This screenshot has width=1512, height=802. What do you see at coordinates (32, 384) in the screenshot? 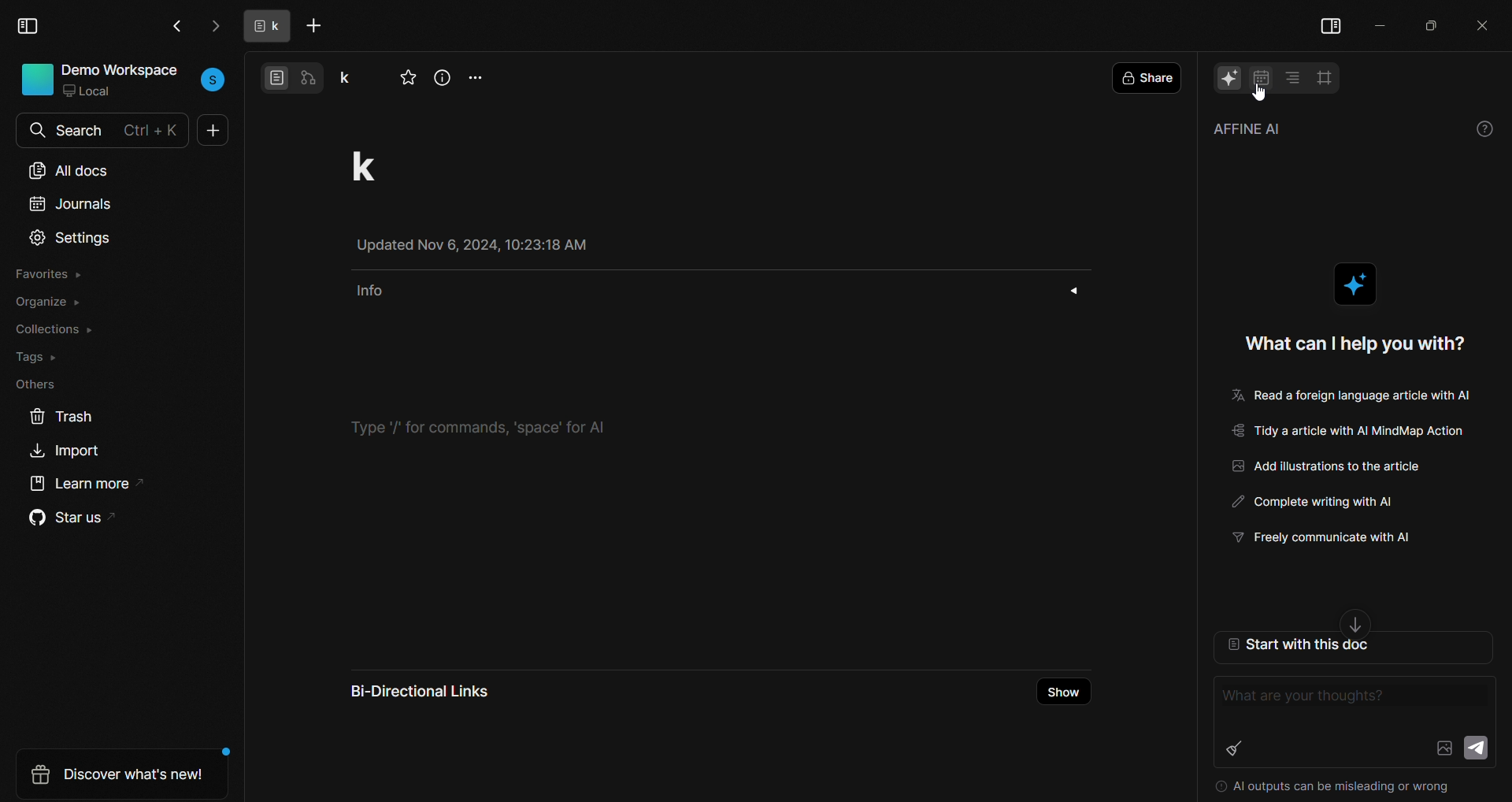
I see `others` at bounding box center [32, 384].